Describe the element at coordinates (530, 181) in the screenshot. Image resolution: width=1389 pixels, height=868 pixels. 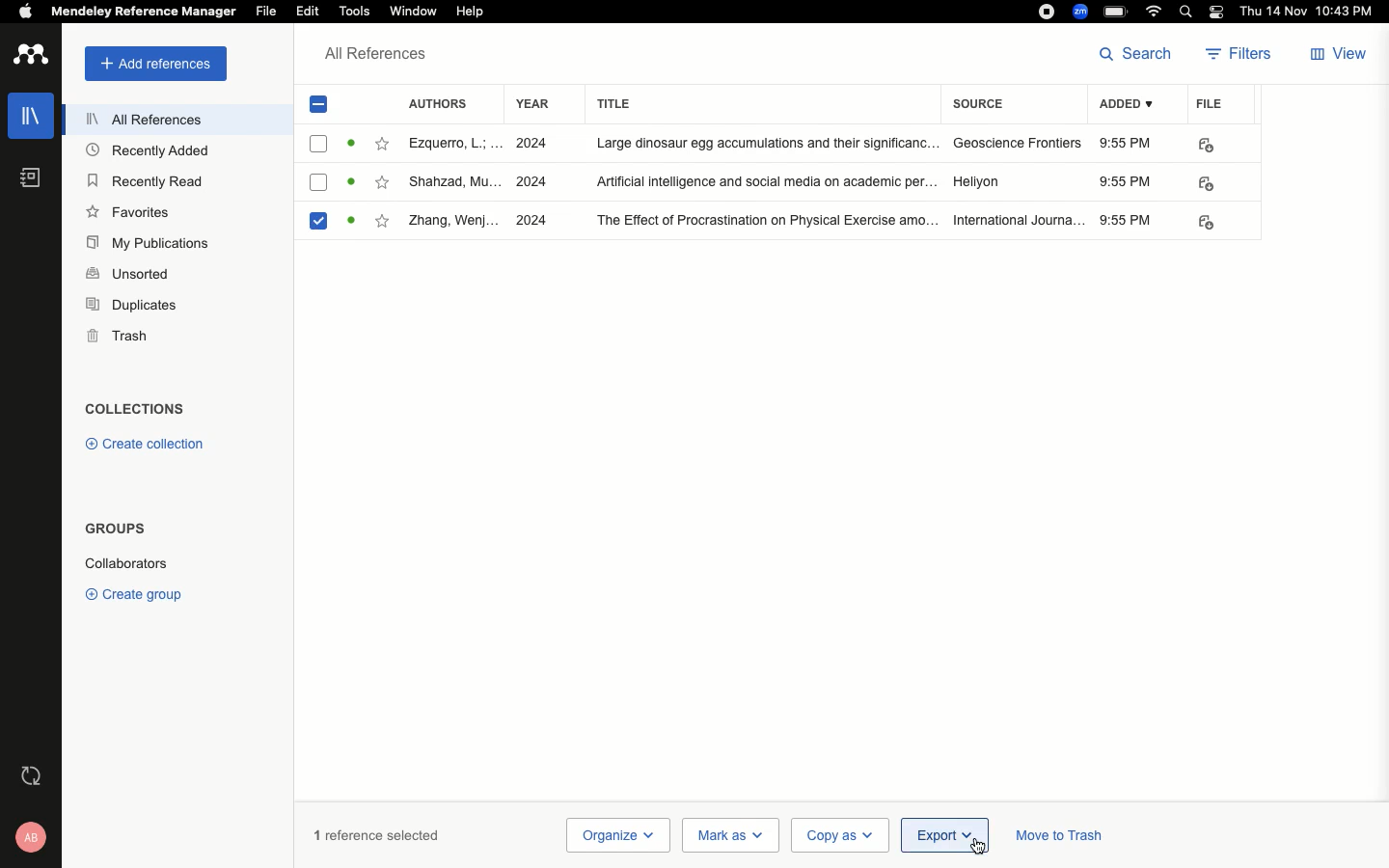
I see `2024` at that location.